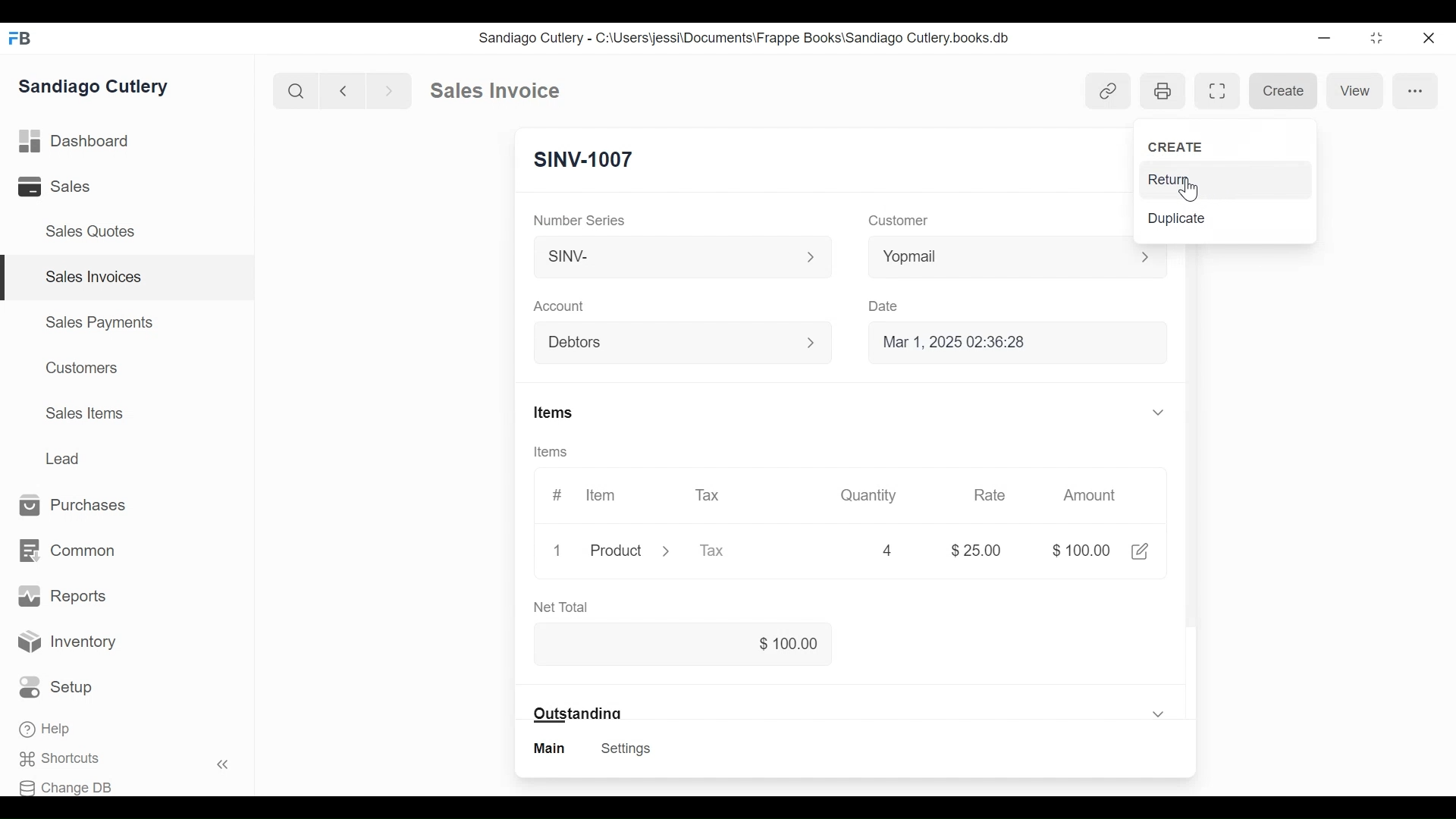  Describe the element at coordinates (99, 322) in the screenshot. I see `Sales Payments` at that location.